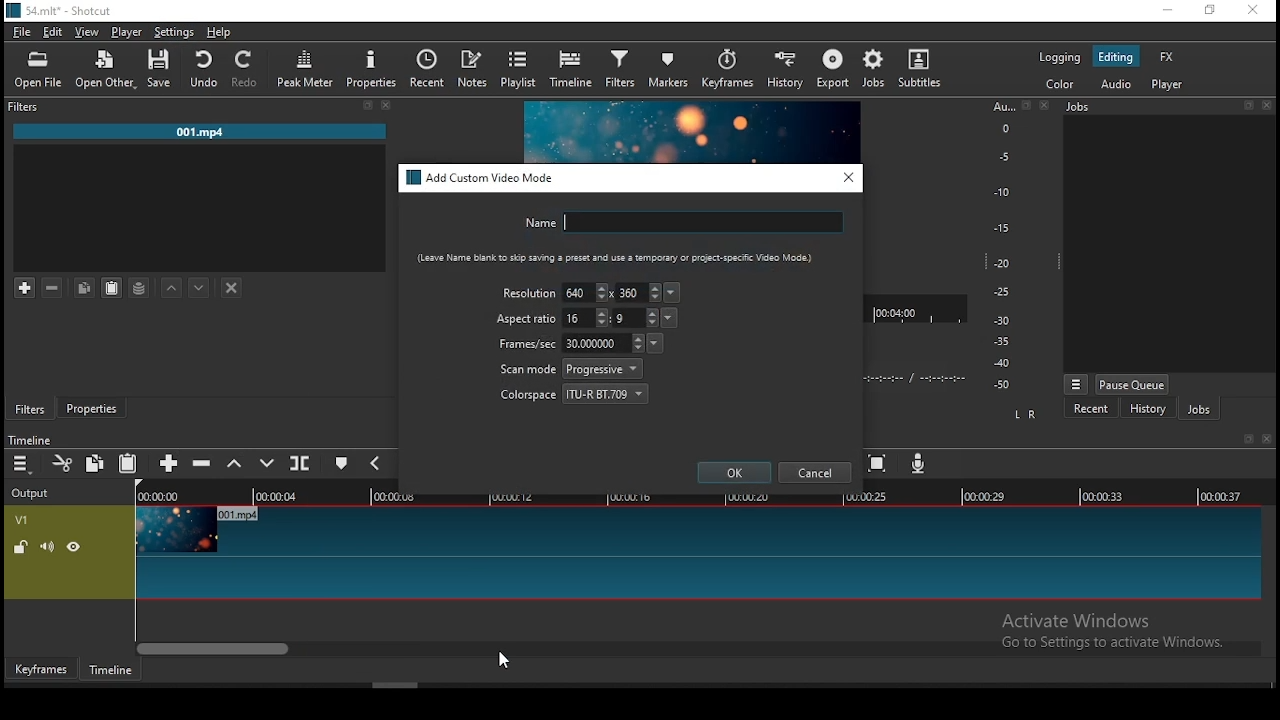 Image resolution: width=1280 pixels, height=720 pixels. What do you see at coordinates (1002, 263) in the screenshot?
I see `-20` at bounding box center [1002, 263].